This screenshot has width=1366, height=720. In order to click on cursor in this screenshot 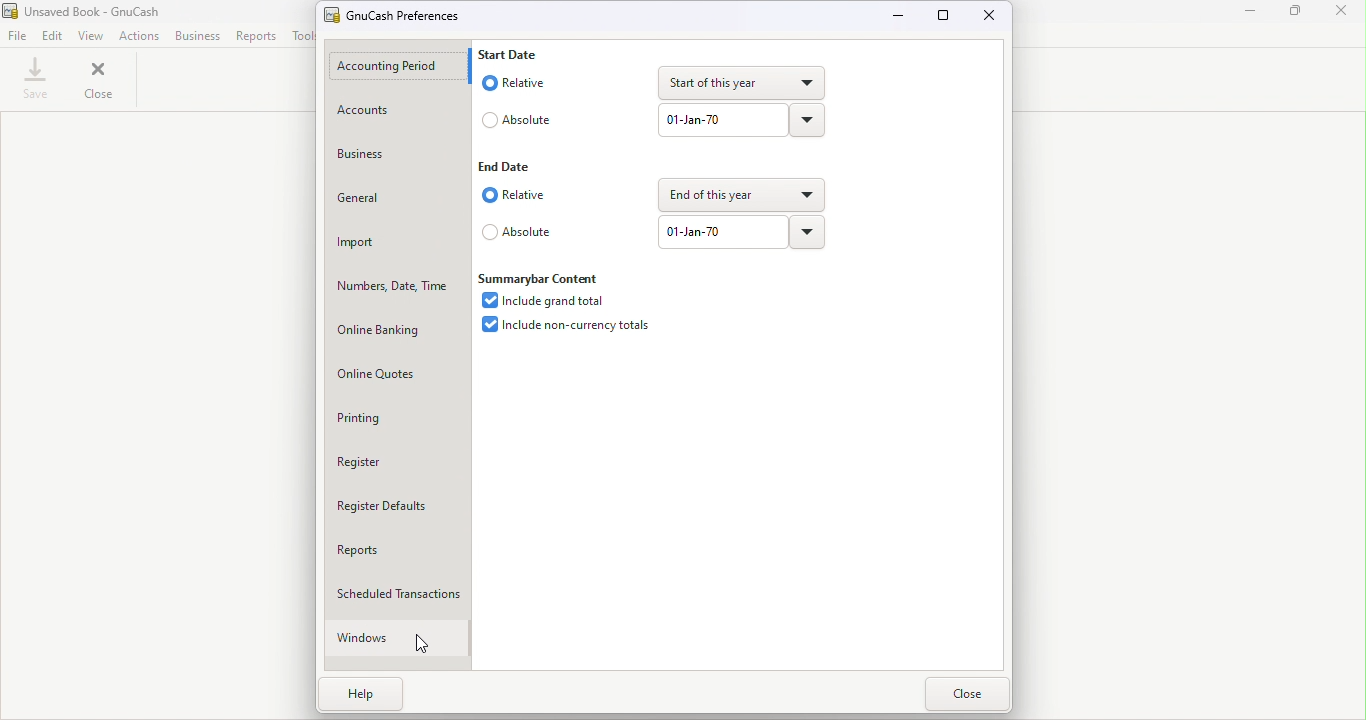, I will do `click(421, 644)`.